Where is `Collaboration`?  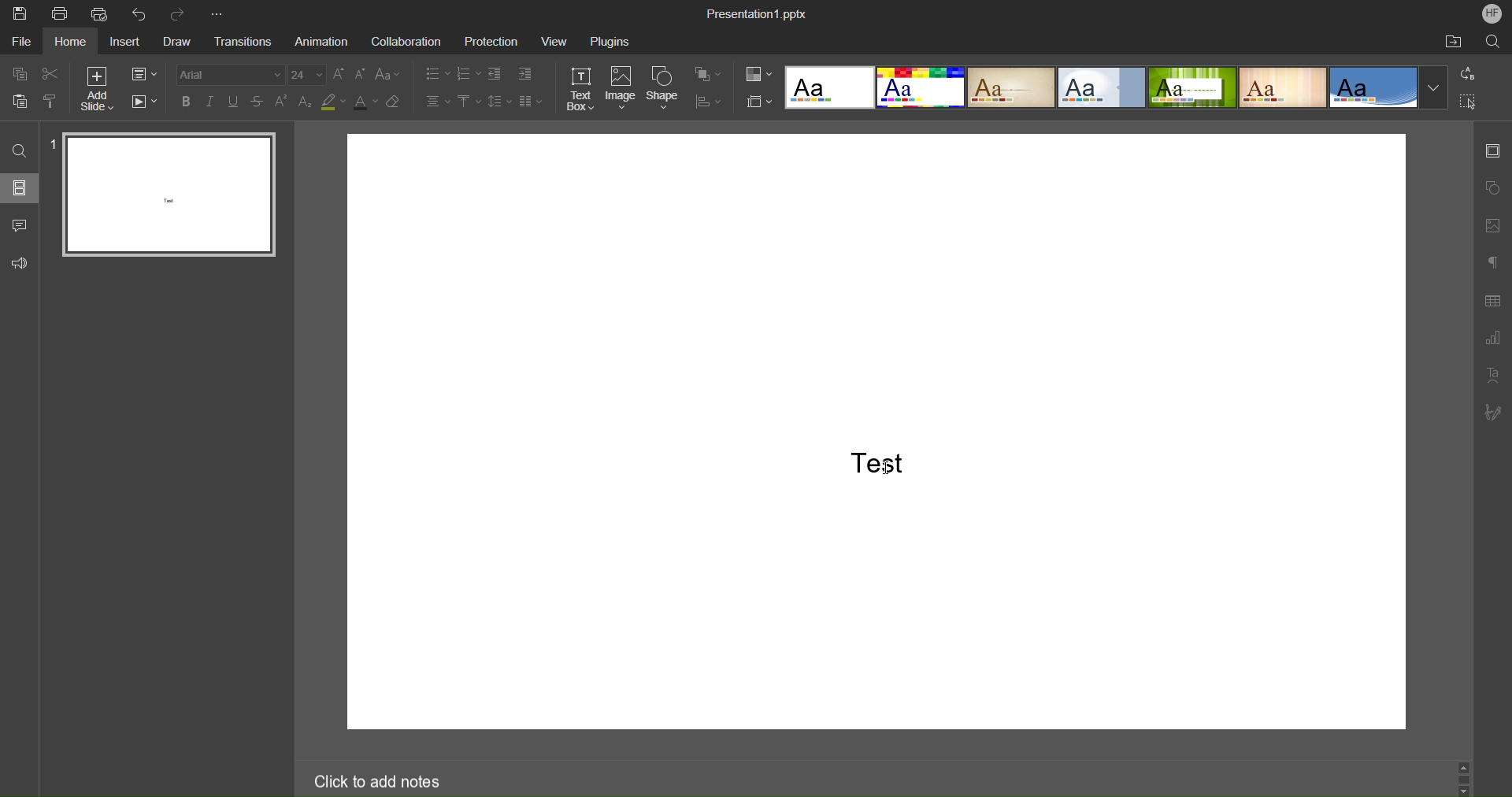
Collaboration is located at coordinates (406, 39).